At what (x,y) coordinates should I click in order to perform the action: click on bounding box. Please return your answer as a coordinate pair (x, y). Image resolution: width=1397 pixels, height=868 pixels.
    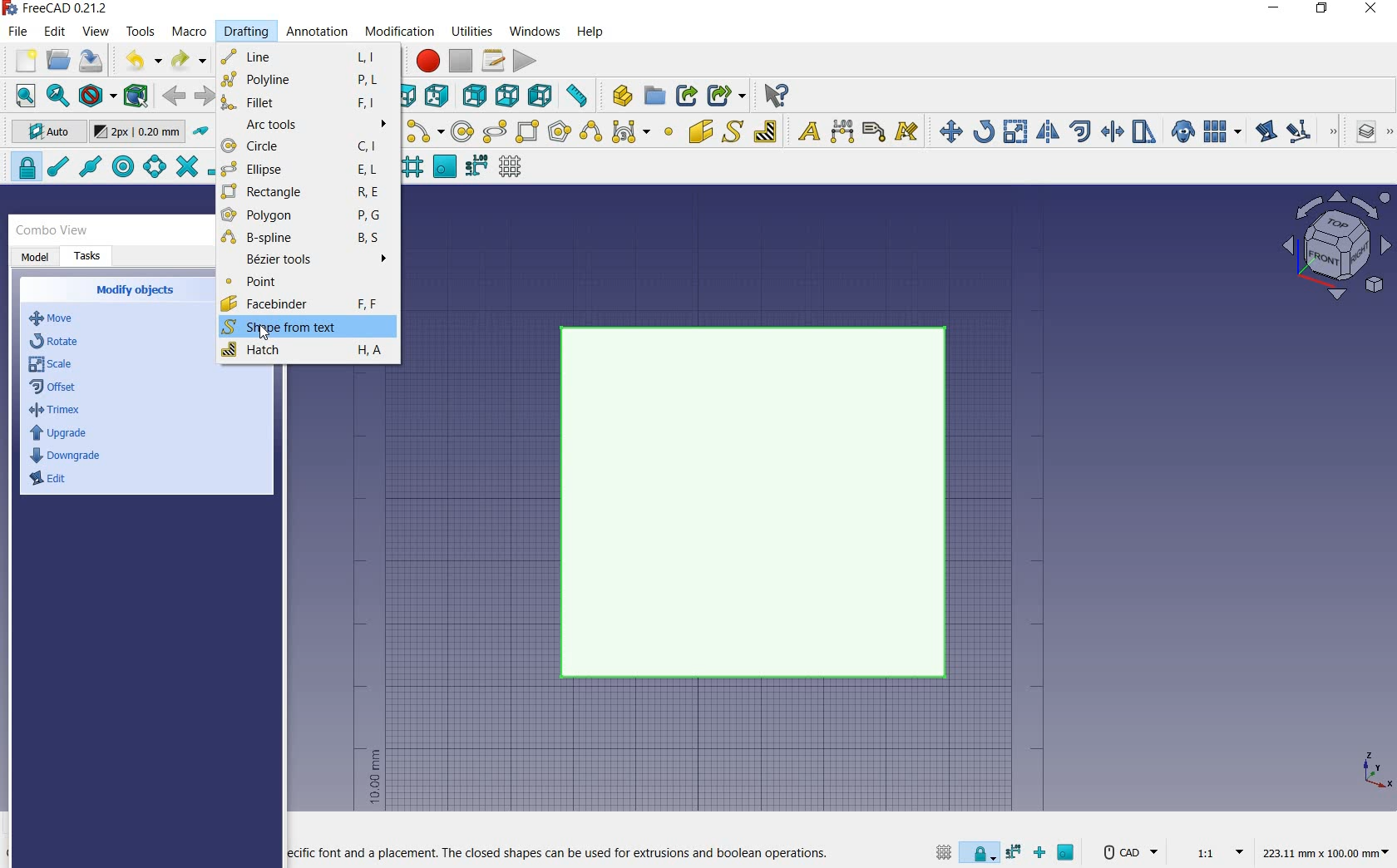
    Looking at the image, I should click on (137, 97).